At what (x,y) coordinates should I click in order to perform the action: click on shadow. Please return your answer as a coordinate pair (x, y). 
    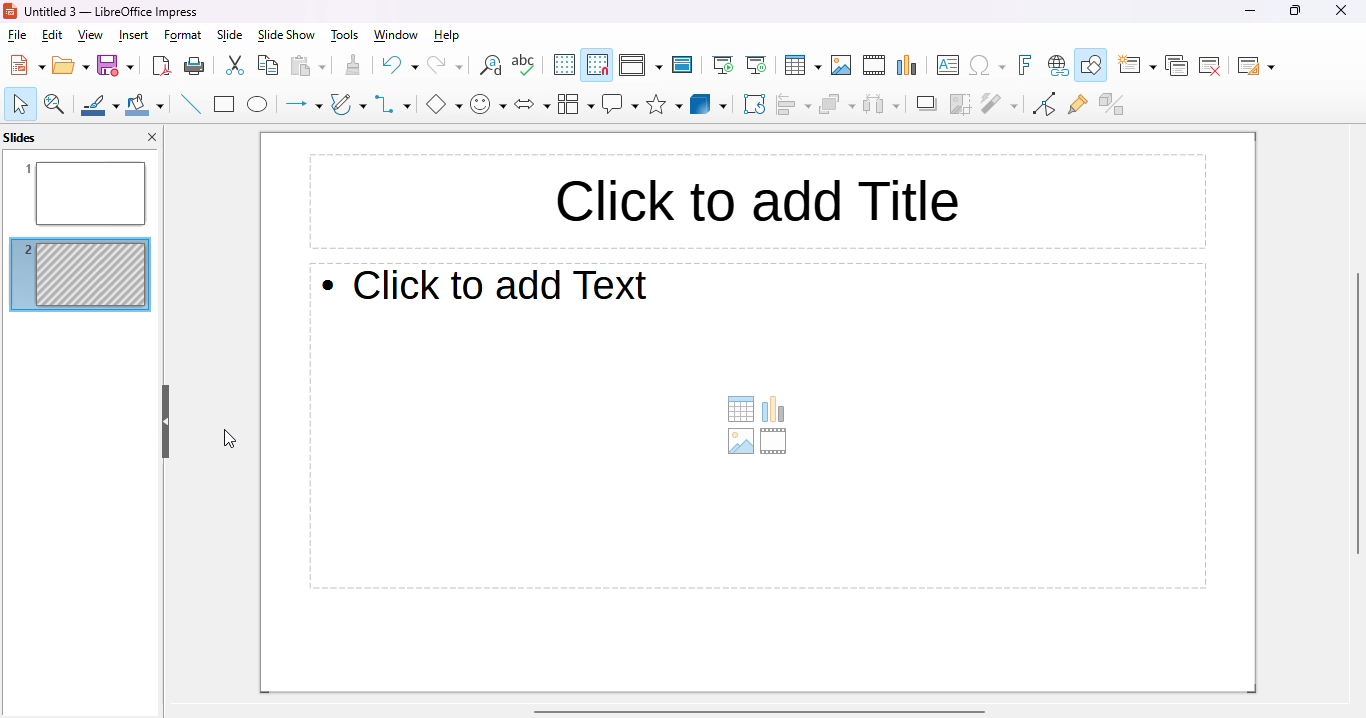
    Looking at the image, I should click on (927, 104).